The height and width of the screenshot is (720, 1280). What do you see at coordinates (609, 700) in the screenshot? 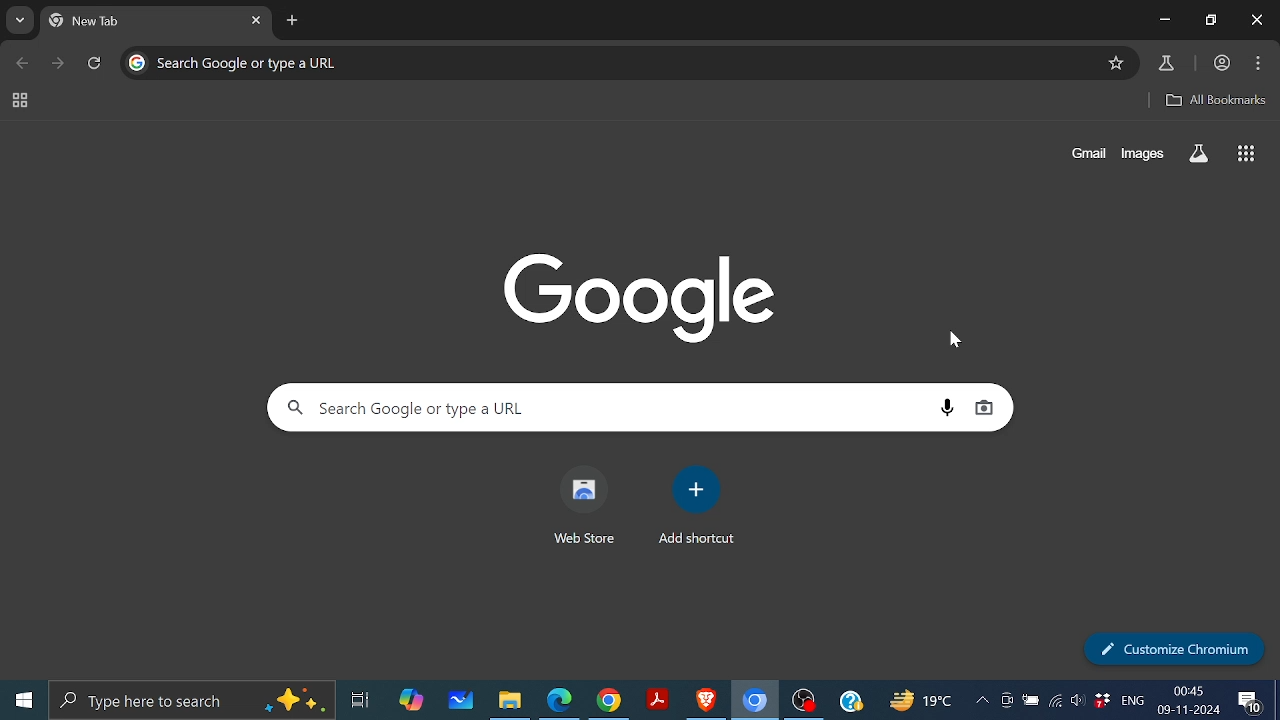
I see `Chrome` at bounding box center [609, 700].